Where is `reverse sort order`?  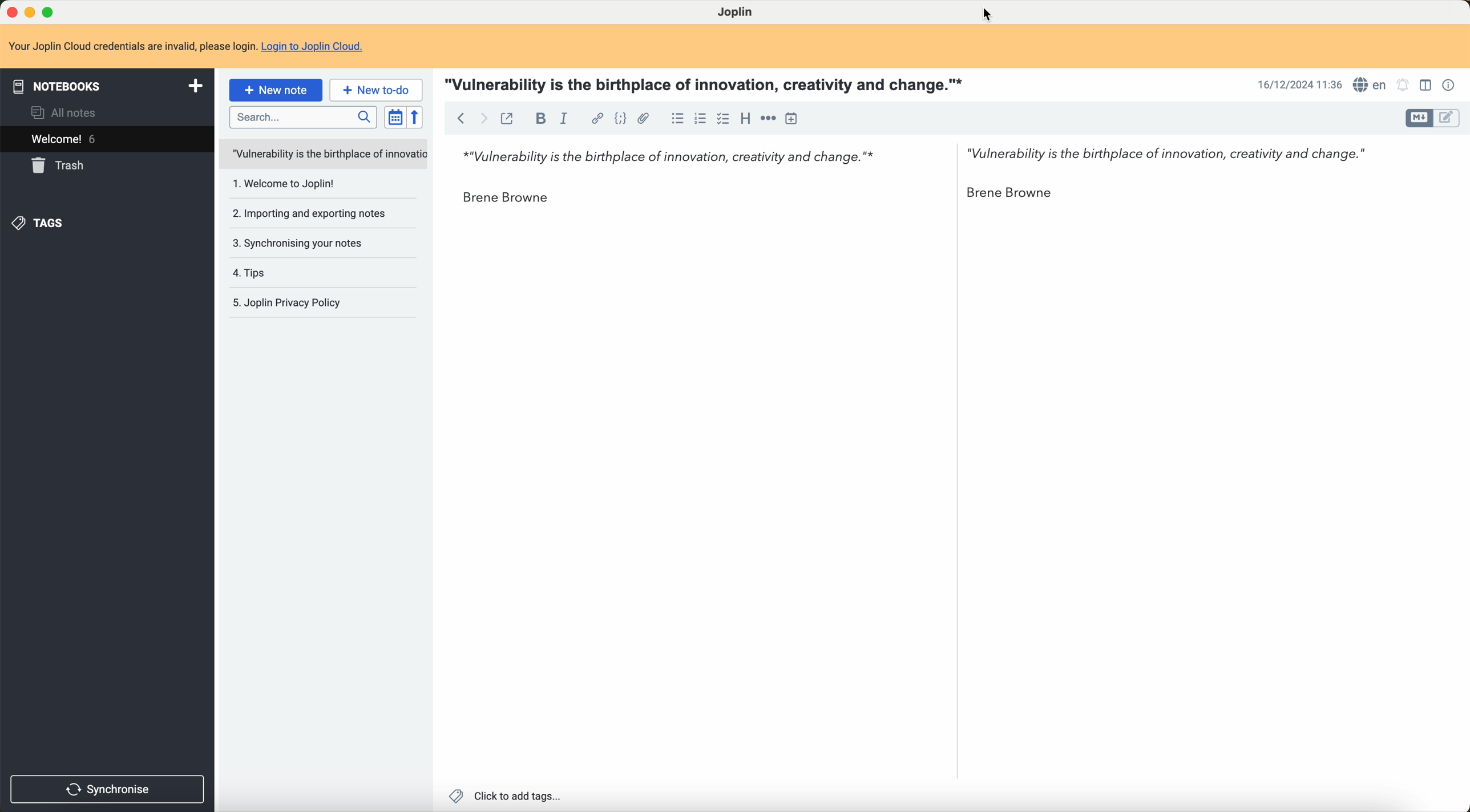
reverse sort order is located at coordinates (416, 117).